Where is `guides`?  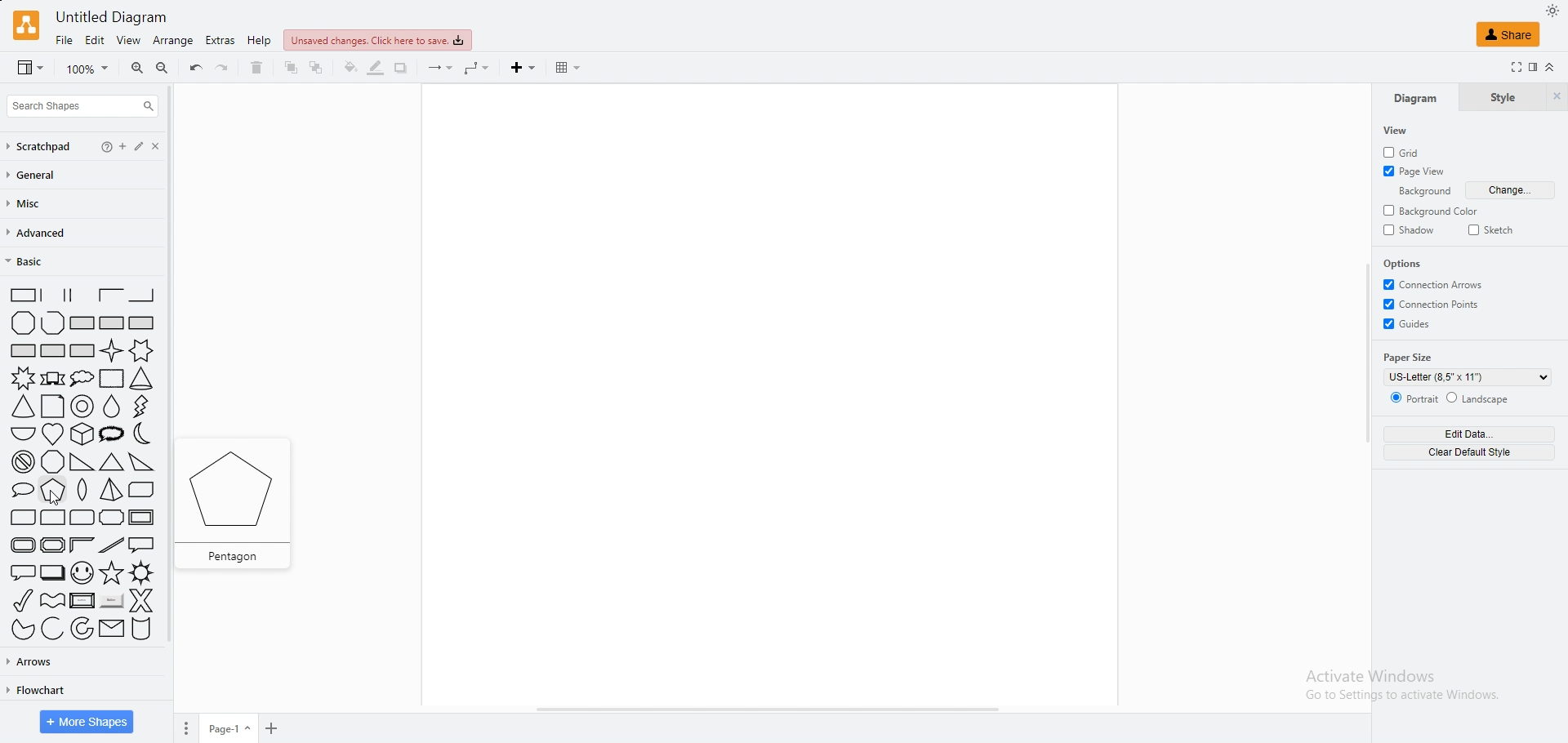
guides is located at coordinates (1409, 323).